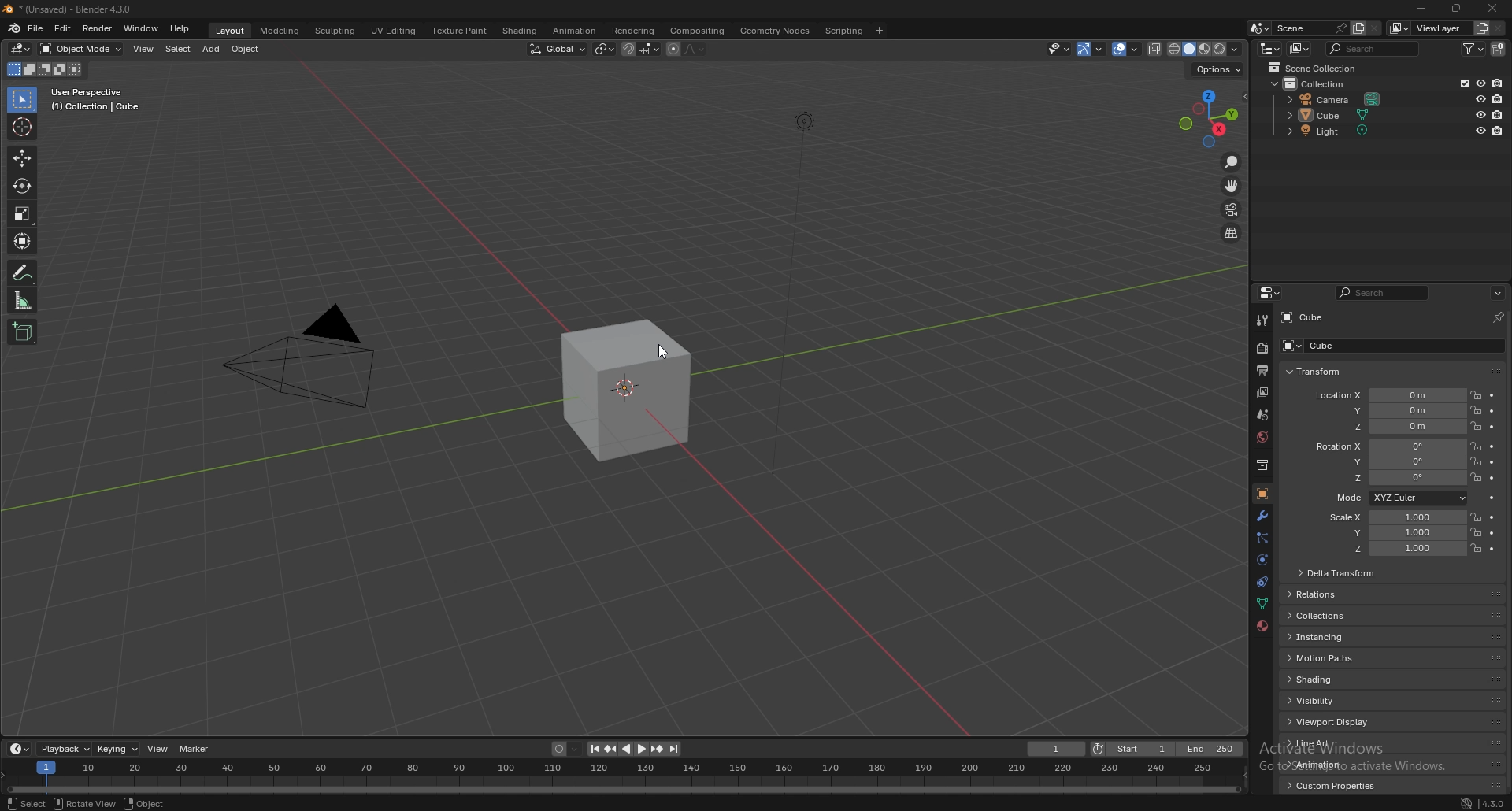 The height and width of the screenshot is (811, 1512). Describe the element at coordinates (1217, 69) in the screenshot. I see `options` at that location.